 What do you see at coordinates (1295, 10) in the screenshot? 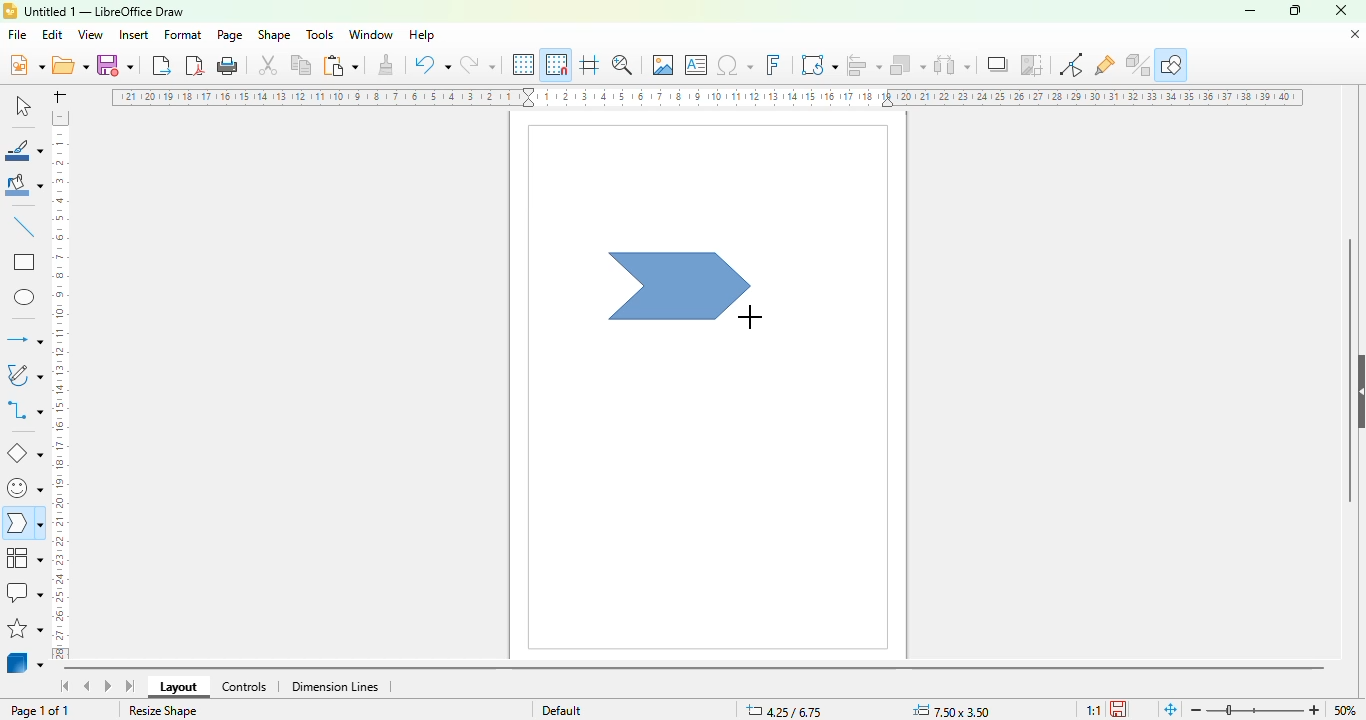
I see `maximize` at bounding box center [1295, 10].